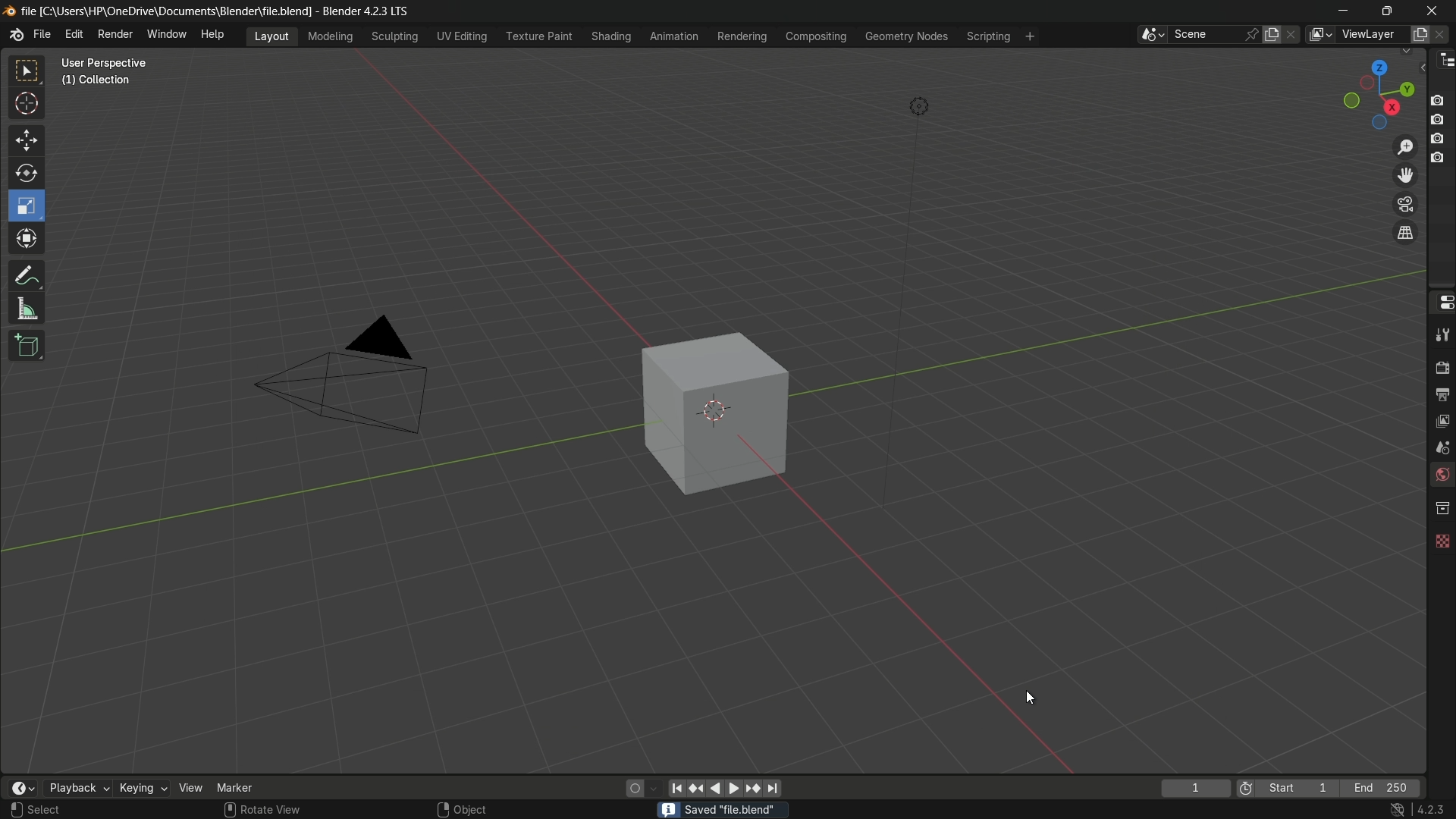  I want to click on marker, so click(246, 786).